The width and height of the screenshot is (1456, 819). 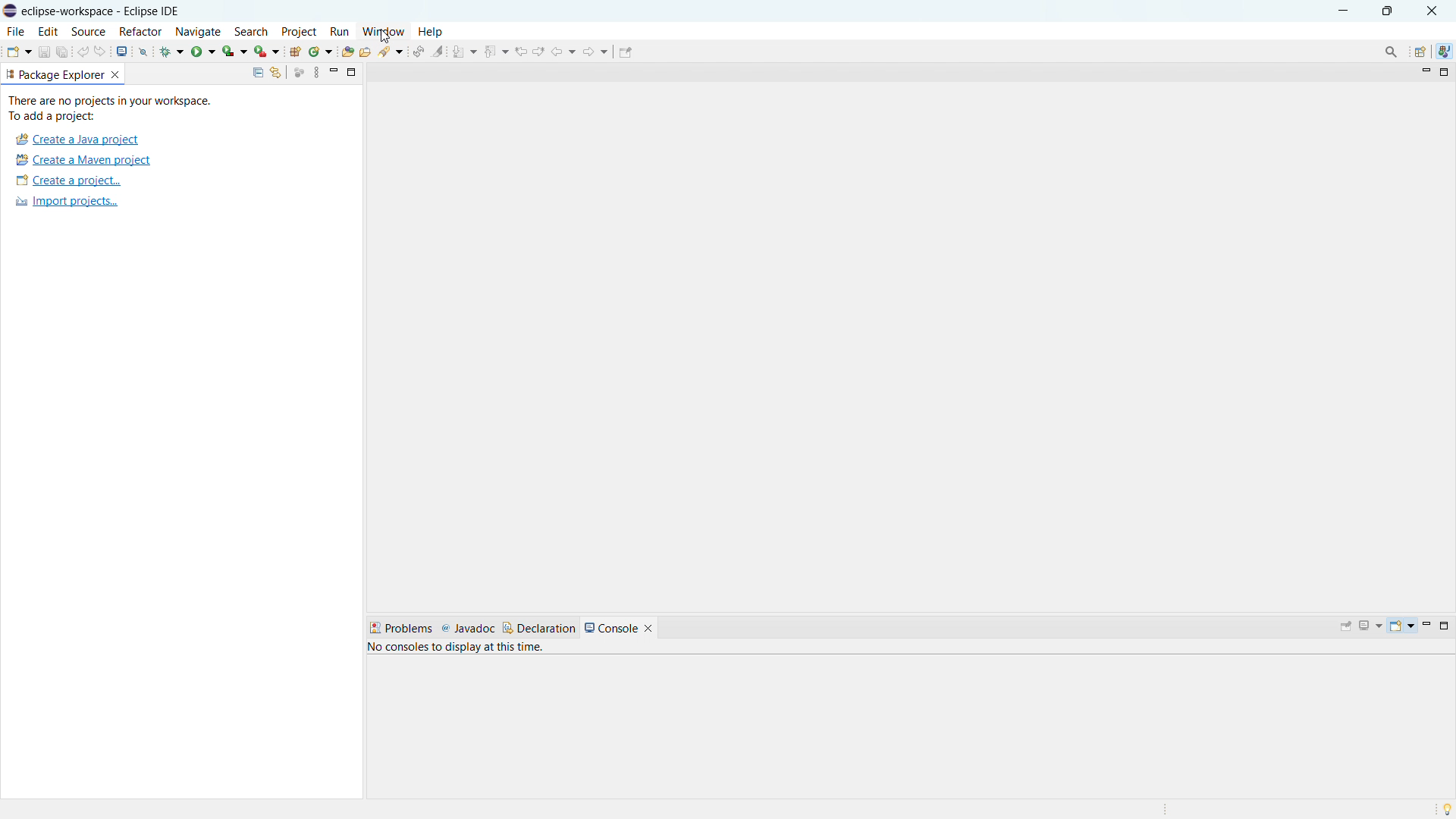 What do you see at coordinates (539, 51) in the screenshot?
I see `next edit location` at bounding box center [539, 51].